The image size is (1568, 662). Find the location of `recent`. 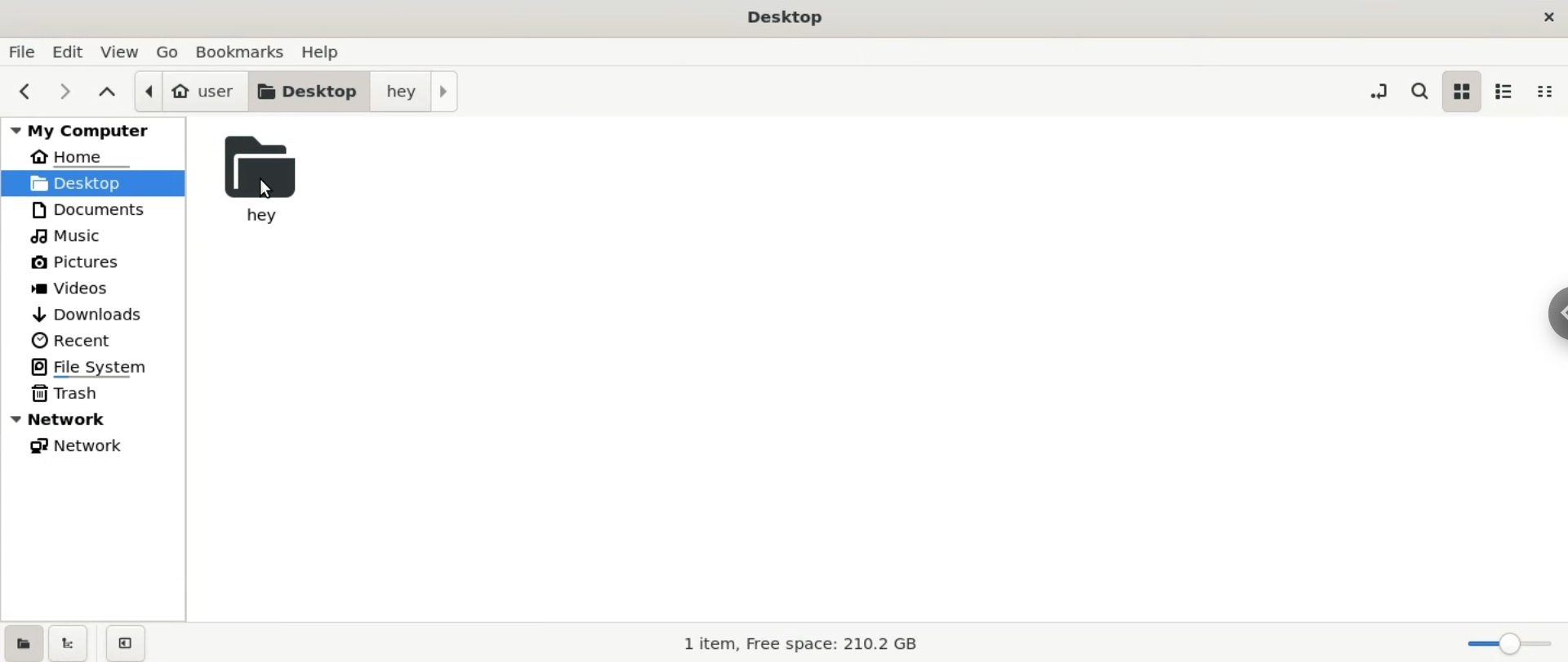

recent is located at coordinates (94, 340).